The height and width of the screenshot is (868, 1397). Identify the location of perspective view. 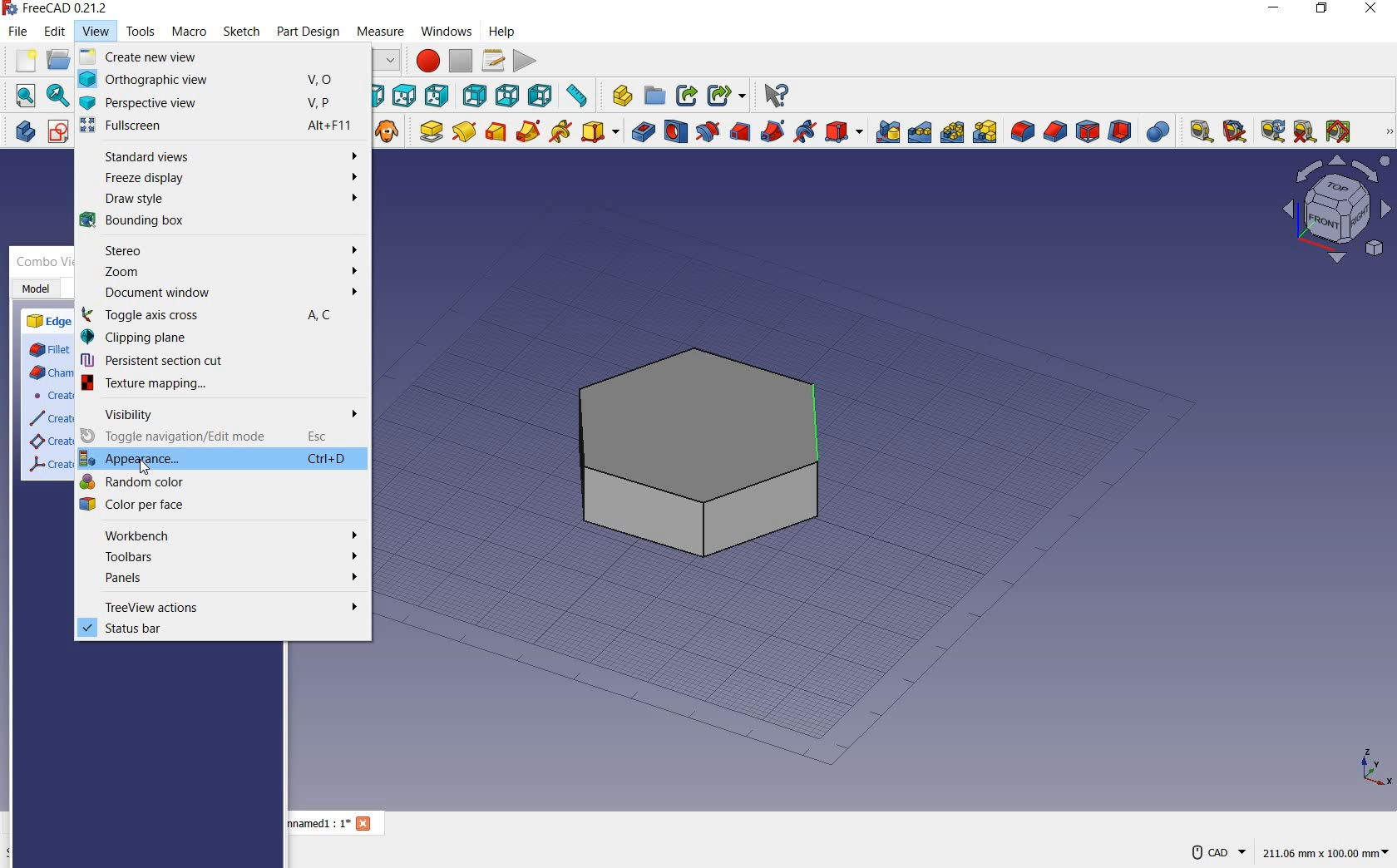
(218, 104).